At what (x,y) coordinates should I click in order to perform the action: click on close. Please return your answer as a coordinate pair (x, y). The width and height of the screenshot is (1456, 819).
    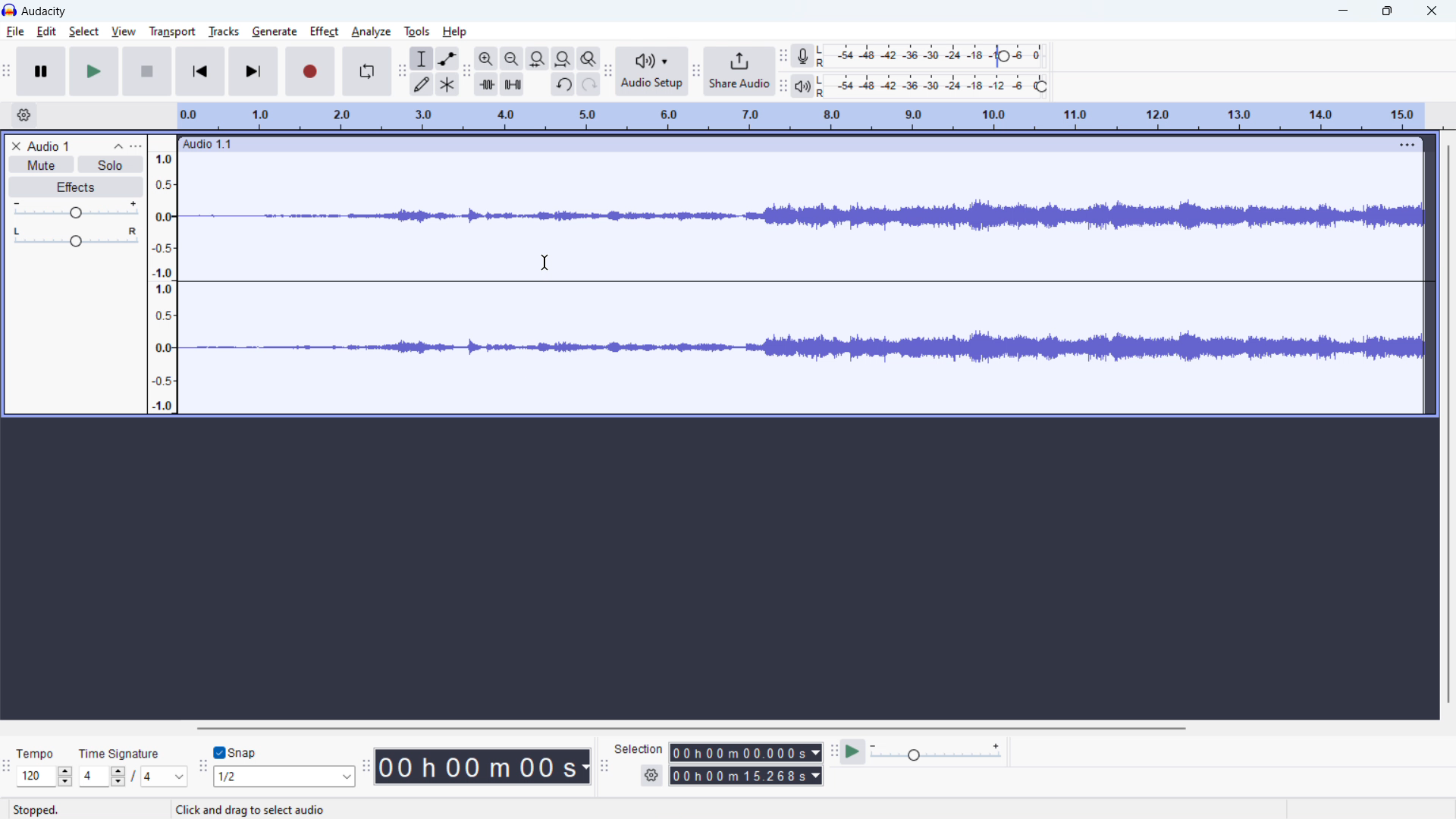
    Looking at the image, I should click on (1432, 11).